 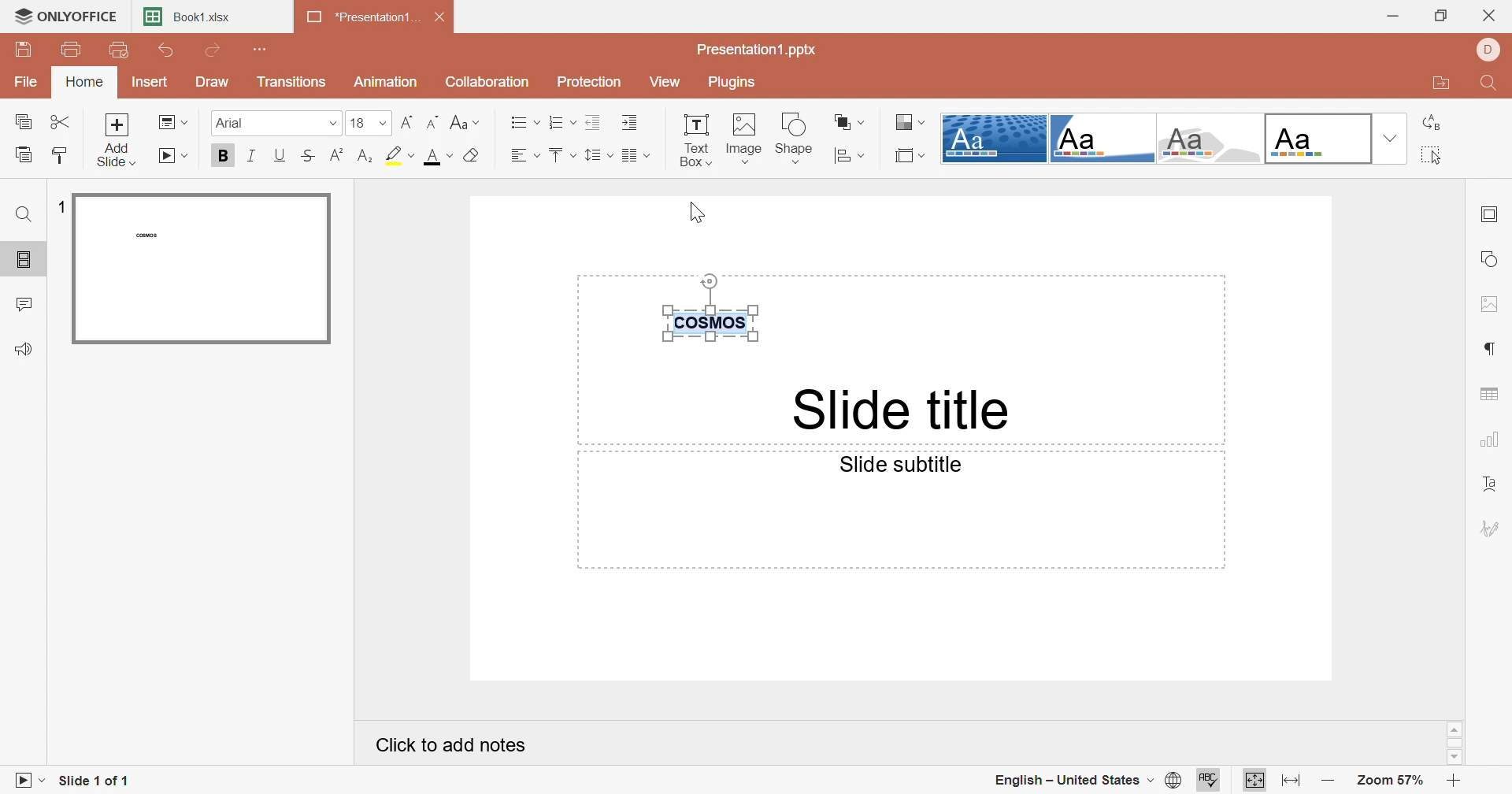 What do you see at coordinates (202, 269) in the screenshot?
I see `Slide` at bounding box center [202, 269].